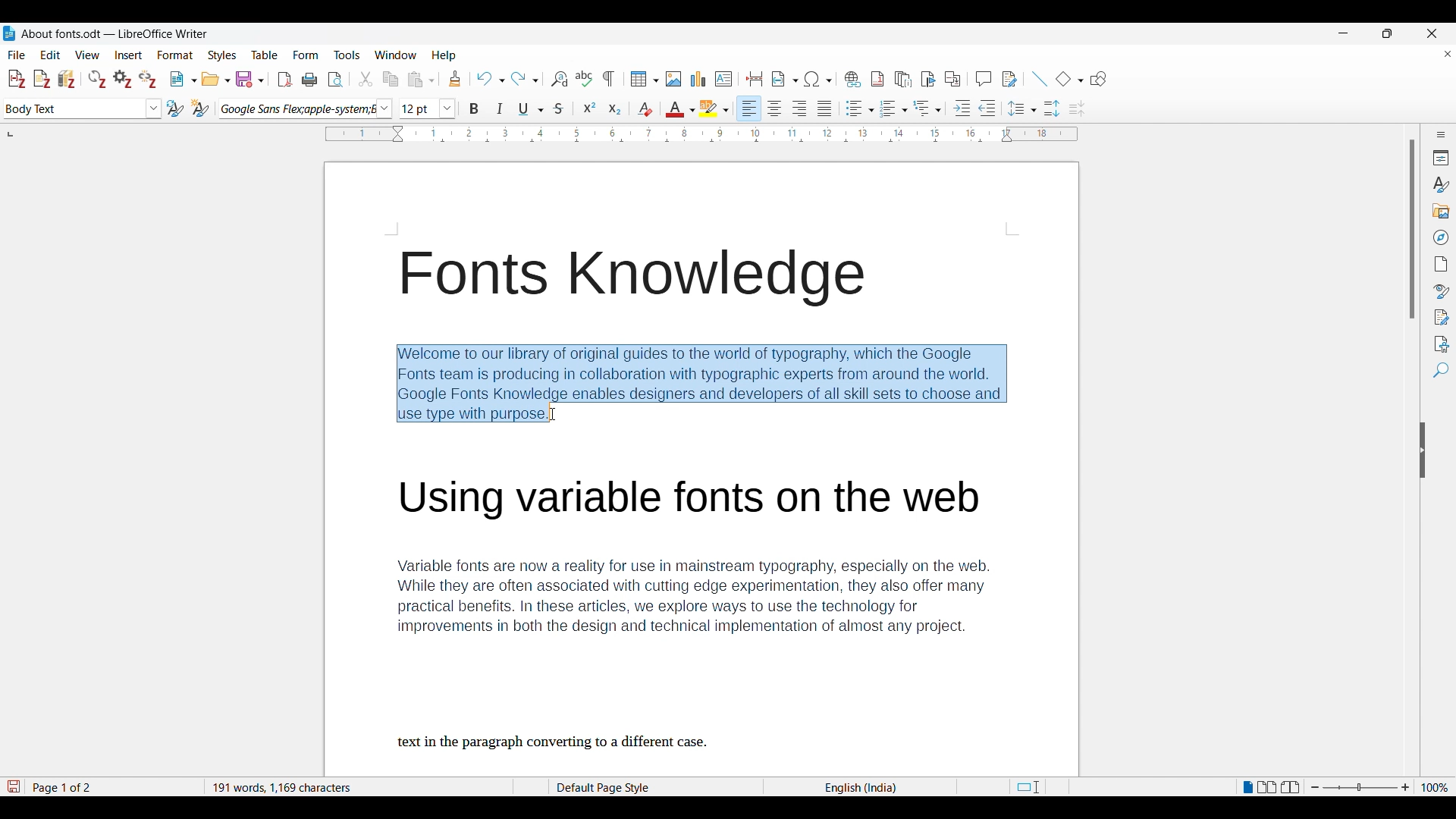 This screenshot has width=1456, height=819. Describe the element at coordinates (335, 80) in the screenshot. I see `Toggle print preview` at that location.